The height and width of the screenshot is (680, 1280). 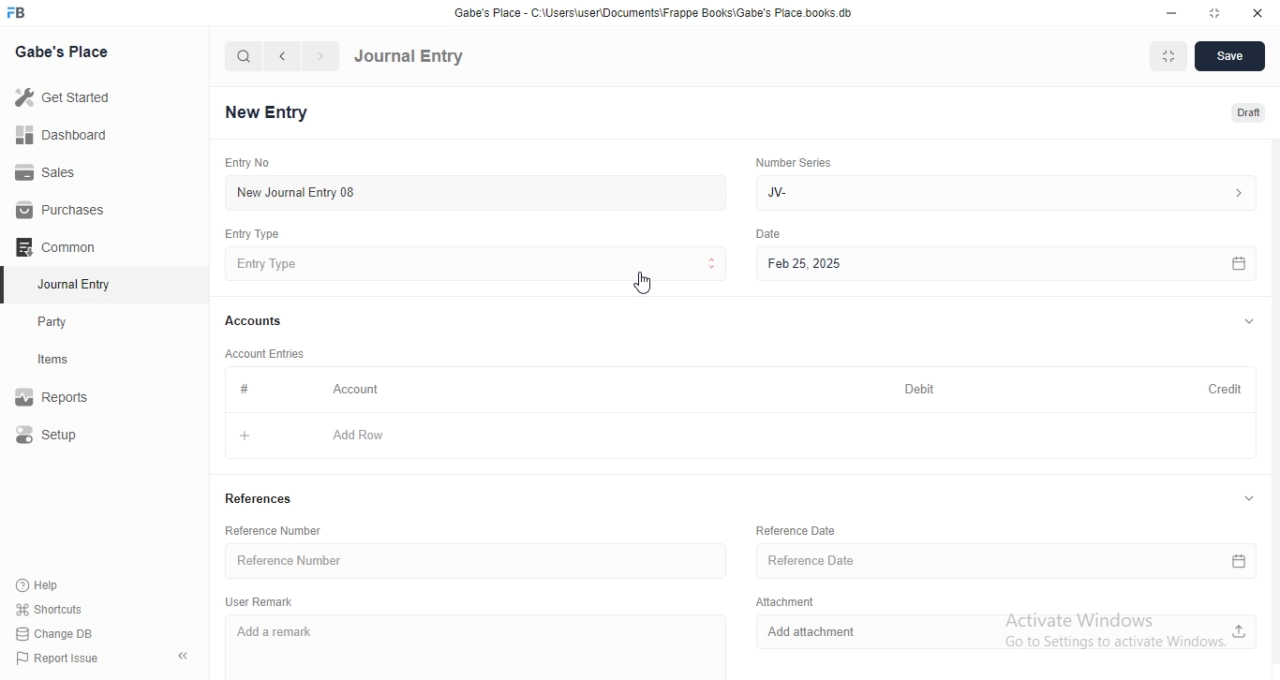 What do you see at coordinates (63, 584) in the screenshot?
I see `Help` at bounding box center [63, 584].